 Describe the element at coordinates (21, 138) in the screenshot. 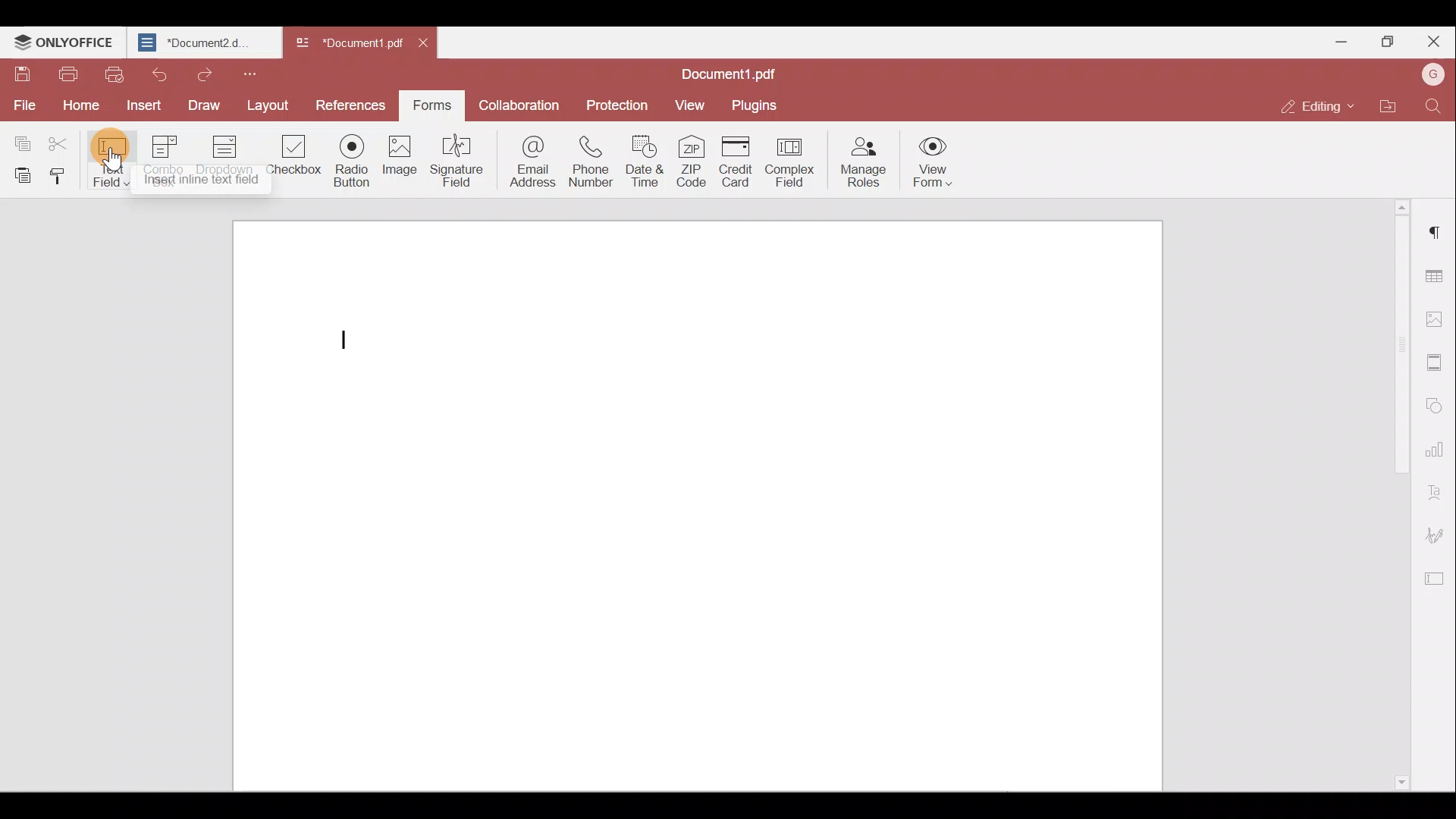

I see `Copy` at that location.